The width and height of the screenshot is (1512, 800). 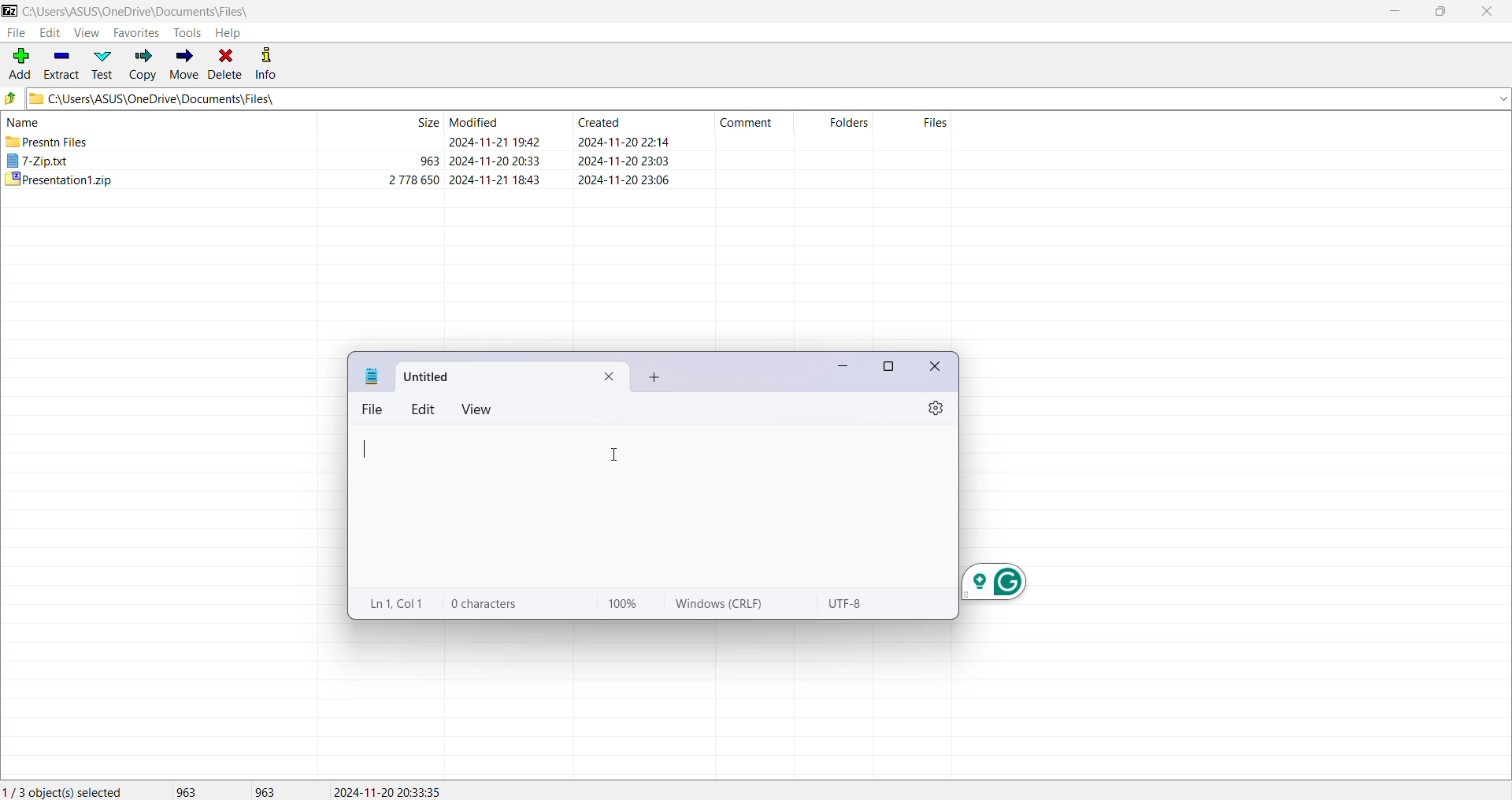 I want to click on created date & time, so click(x=625, y=180).